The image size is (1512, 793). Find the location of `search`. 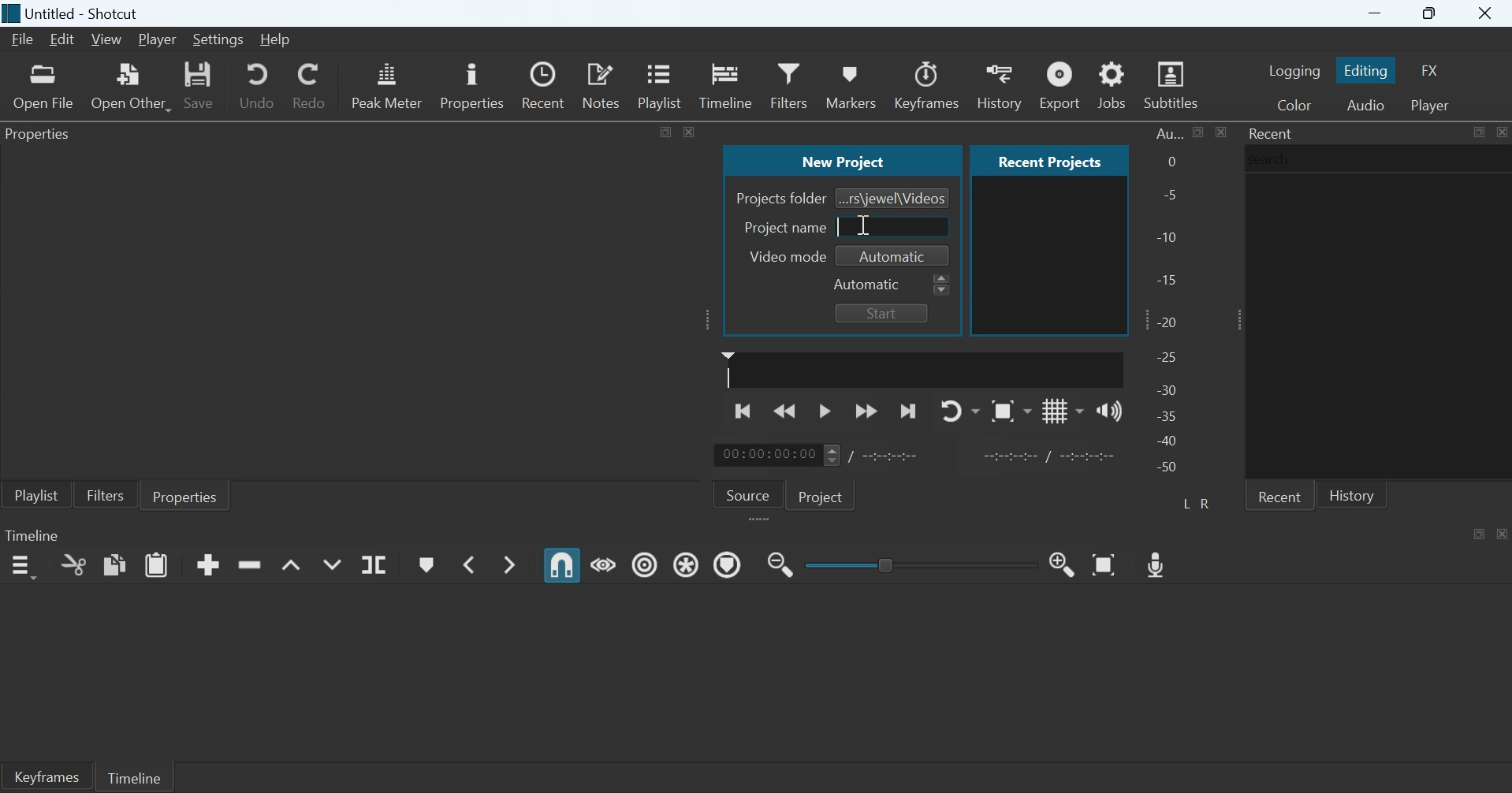

search is located at coordinates (1273, 158).